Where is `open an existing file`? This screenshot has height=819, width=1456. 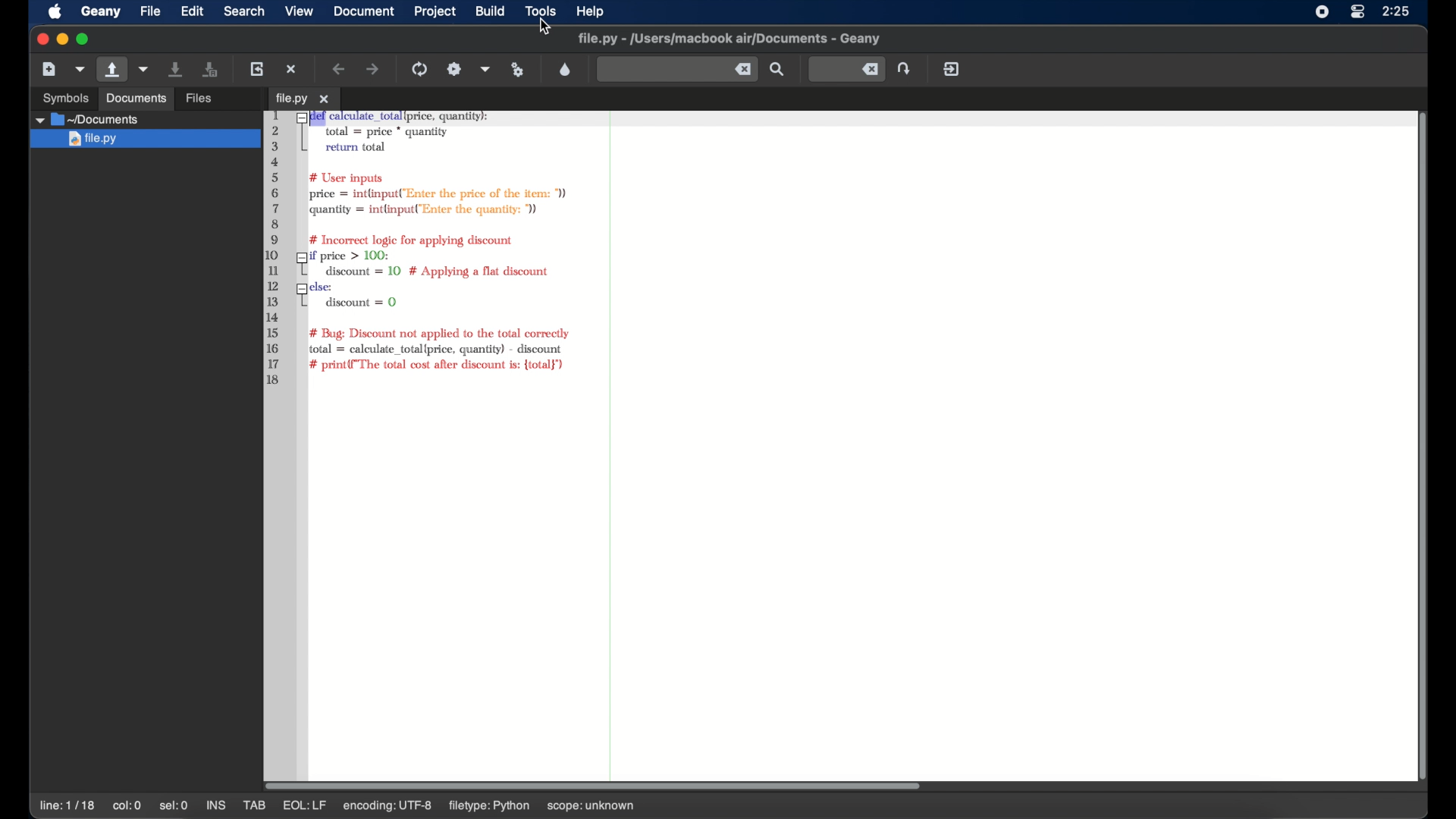 open an existing file is located at coordinates (222, 99).